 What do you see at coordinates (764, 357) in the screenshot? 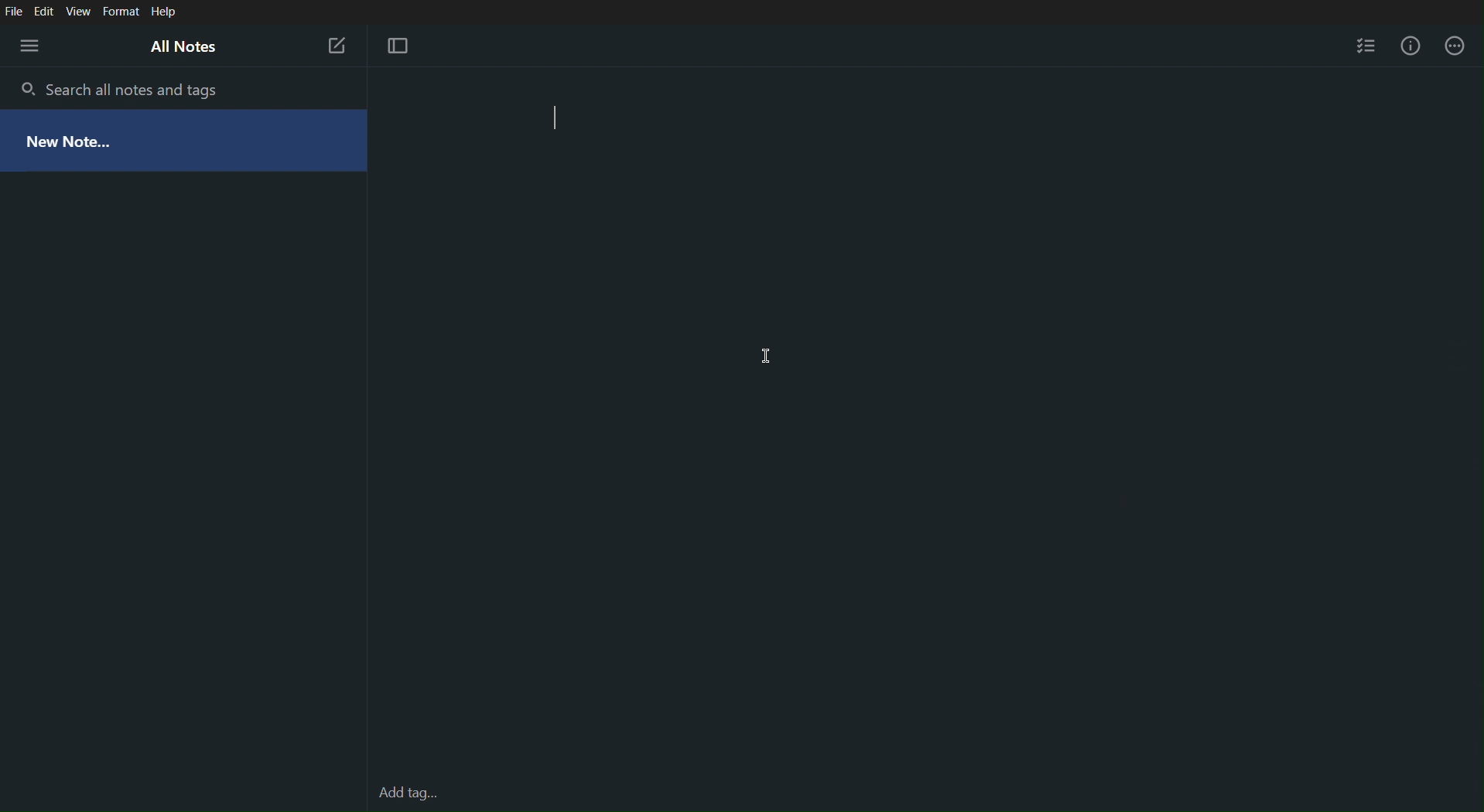
I see `Cursor` at bounding box center [764, 357].